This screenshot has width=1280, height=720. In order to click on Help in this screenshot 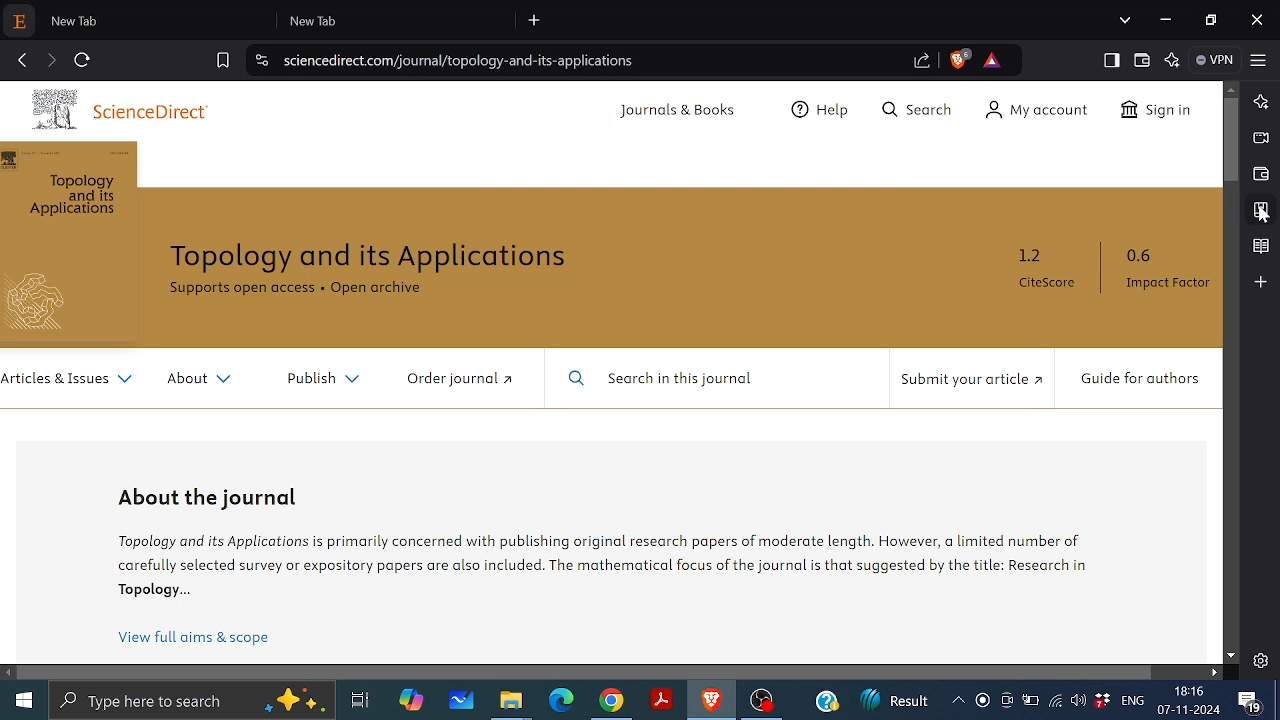, I will do `click(823, 112)`.